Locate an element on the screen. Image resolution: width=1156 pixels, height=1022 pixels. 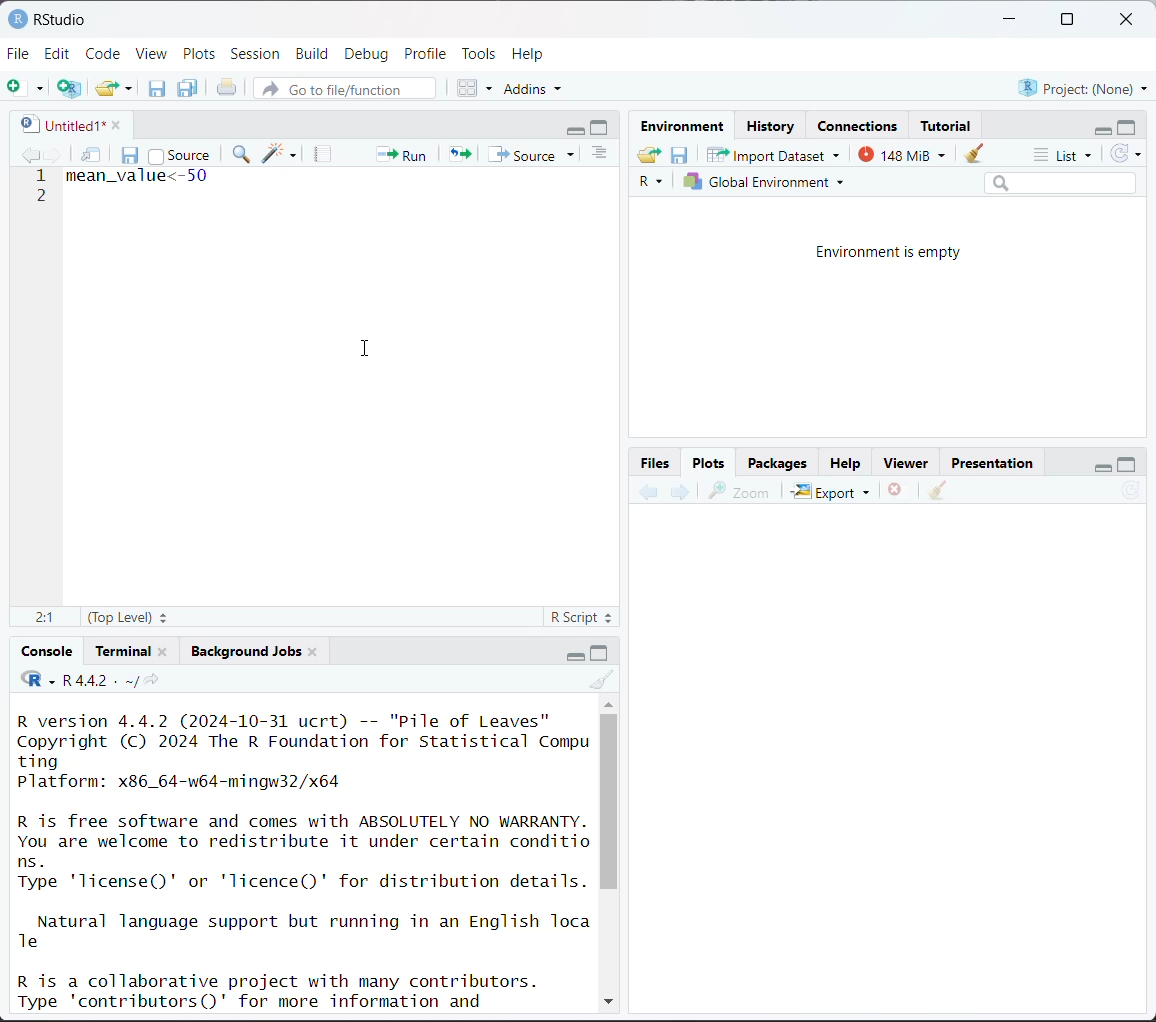
minimize is located at coordinates (1099, 464).